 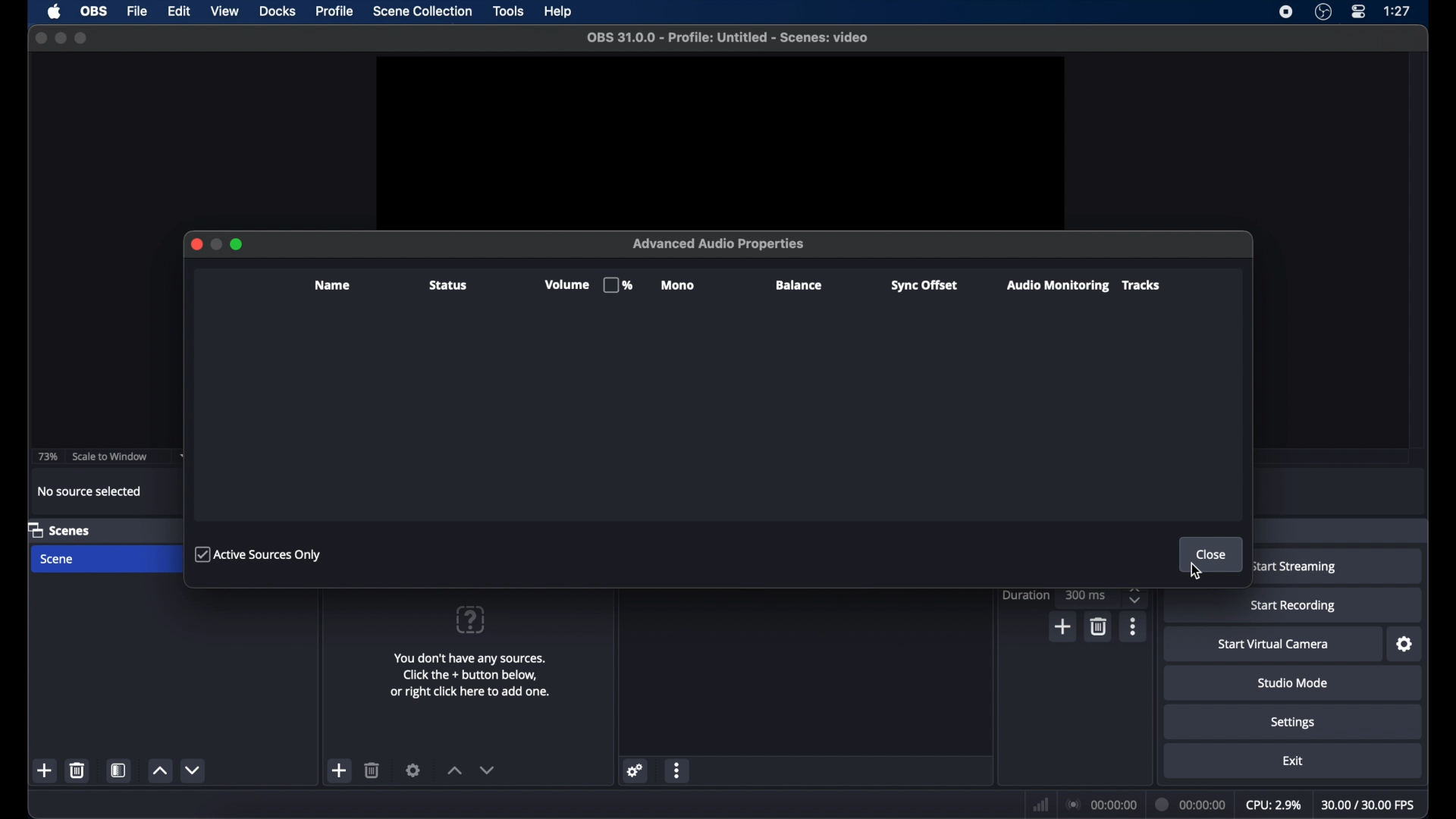 I want to click on more options, so click(x=678, y=770).